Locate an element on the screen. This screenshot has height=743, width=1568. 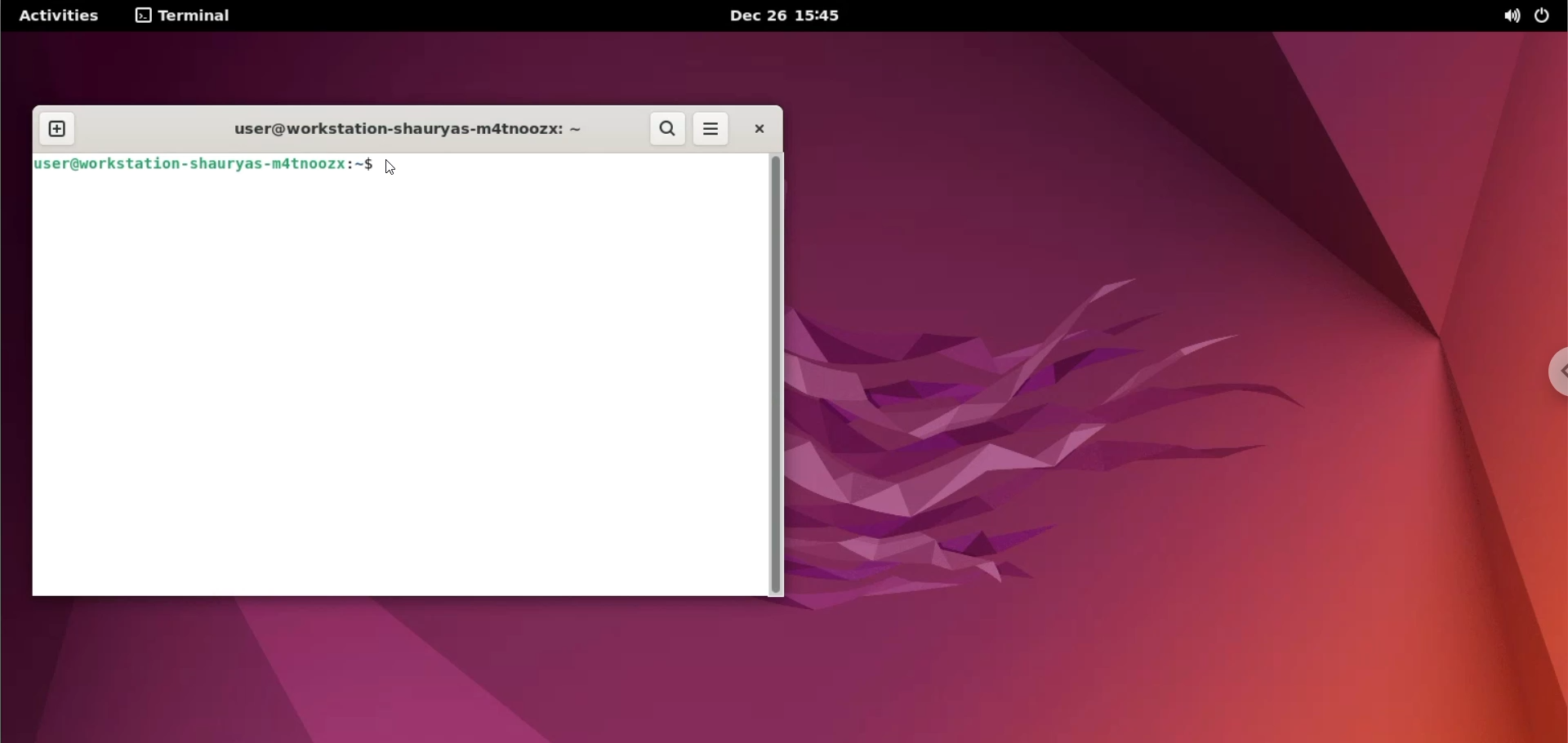
close is located at coordinates (758, 128).